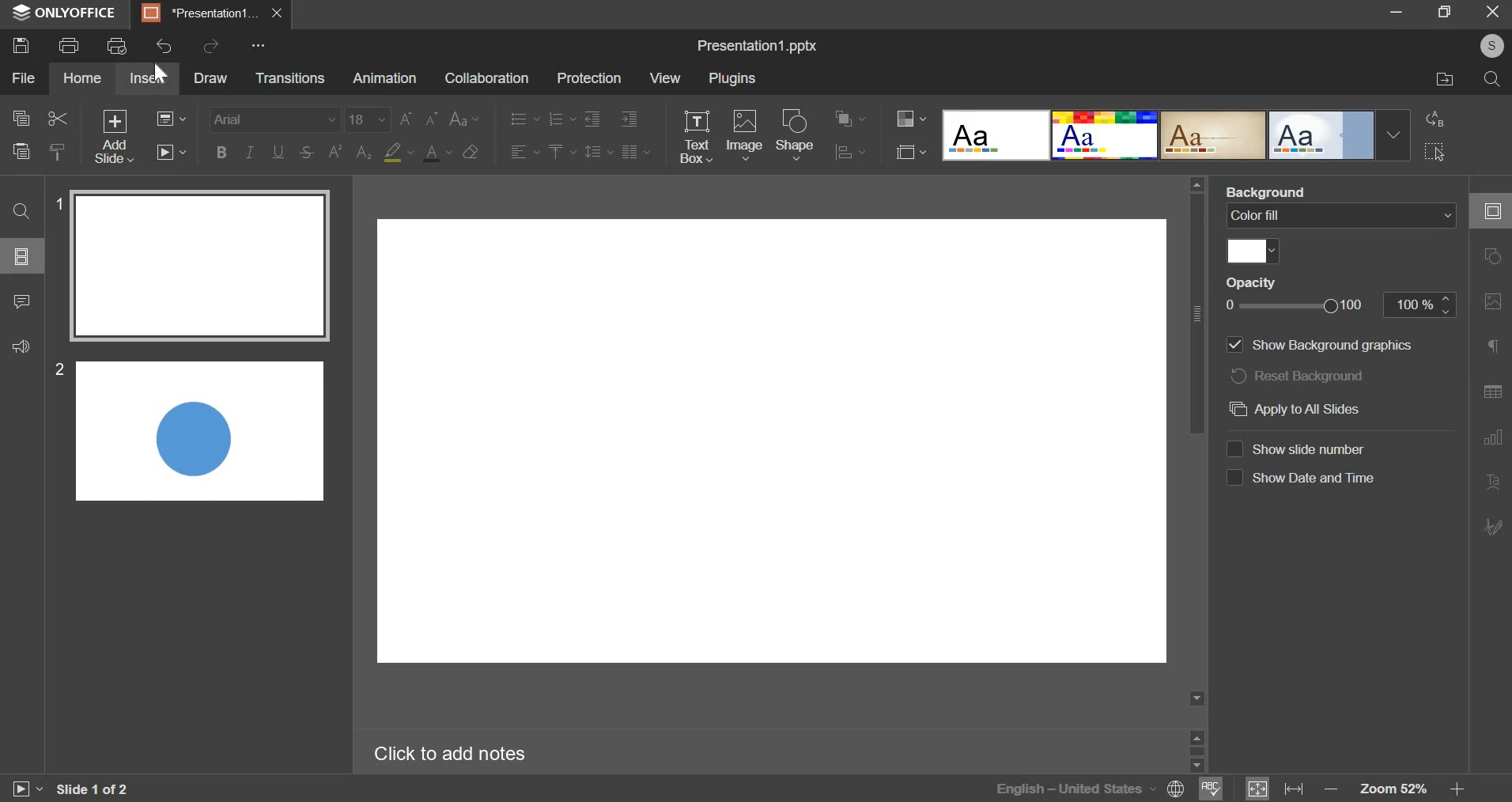  I want to click on plugins, so click(733, 78).